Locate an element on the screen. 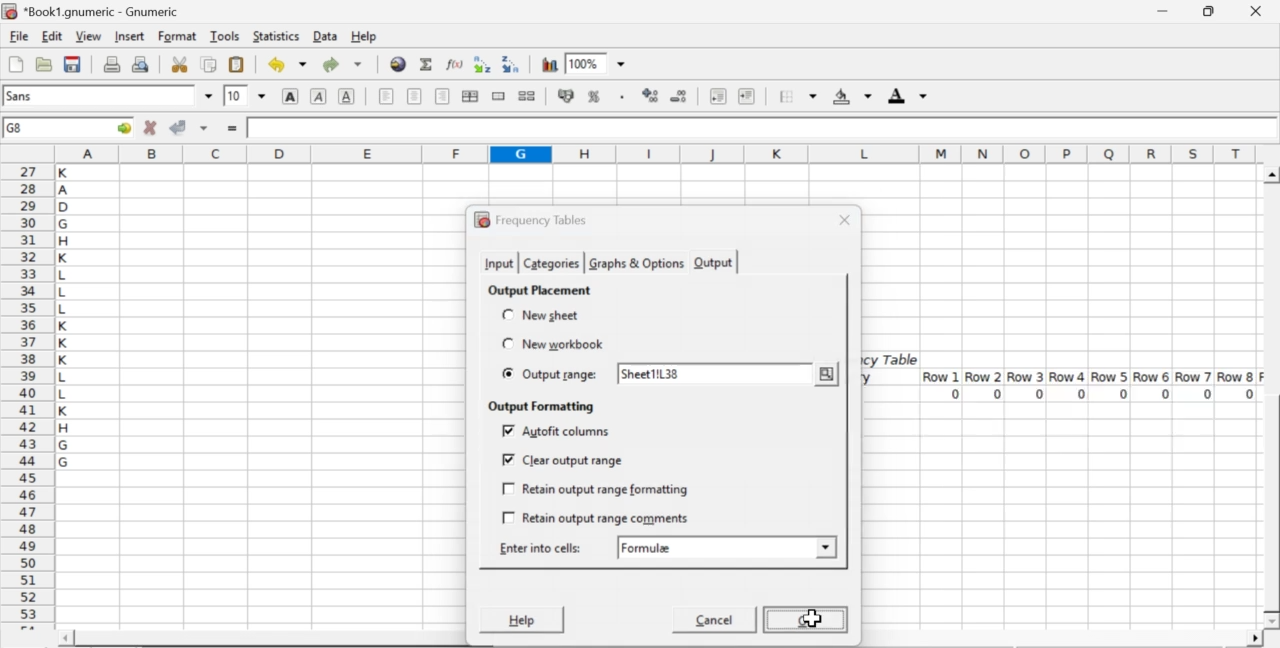  foreground is located at coordinates (908, 95).